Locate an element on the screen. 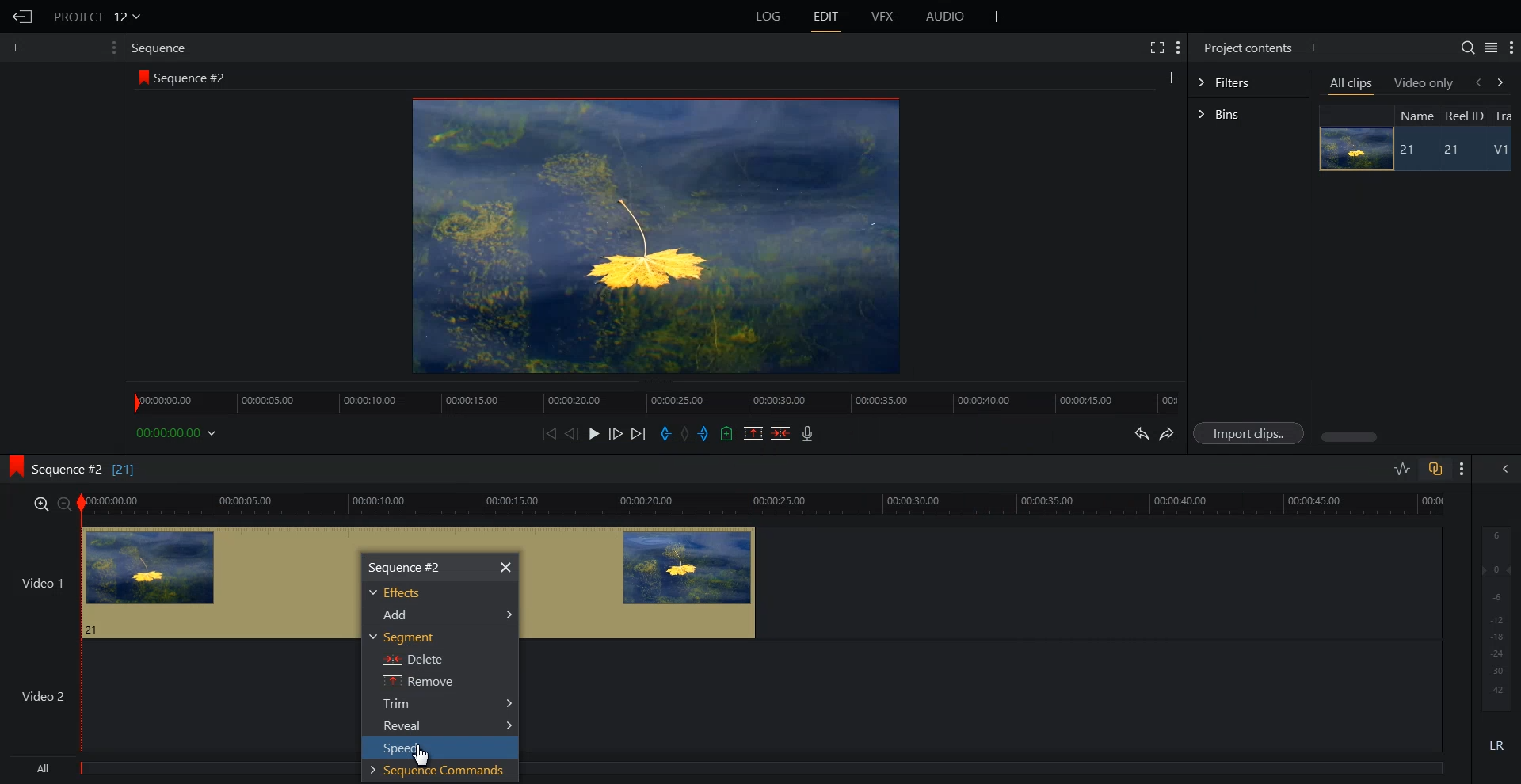 The image size is (1521, 784). Sequence #2 is located at coordinates (194, 78).